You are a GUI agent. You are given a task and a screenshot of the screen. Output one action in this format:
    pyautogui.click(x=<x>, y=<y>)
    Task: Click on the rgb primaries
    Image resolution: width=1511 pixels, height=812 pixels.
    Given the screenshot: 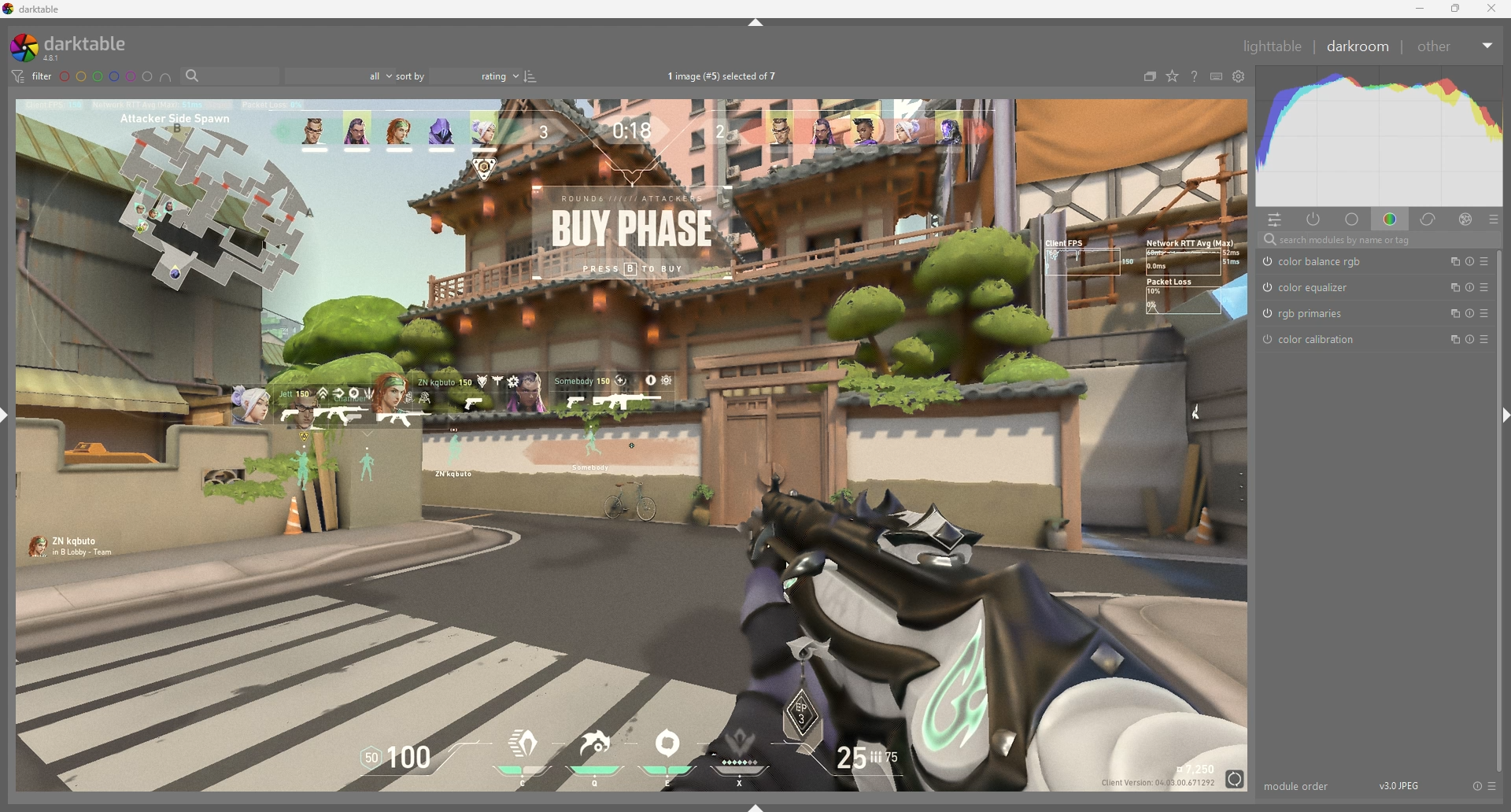 What is the action you would take?
    pyautogui.click(x=1304, y=313)
    